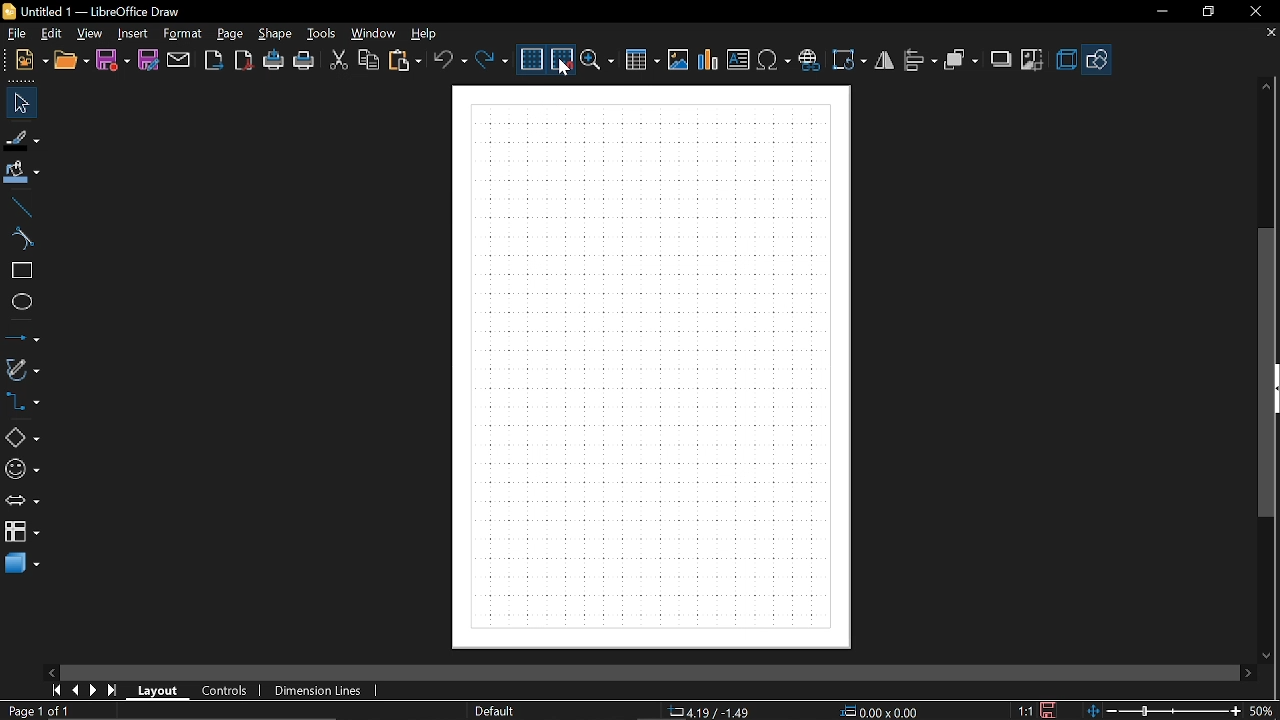 The image size is (1280, 720). What do you see at coordinates (1269, 373) in the screenshot?
I see `vertical scrollbar` at bounding box center [1269, 373].